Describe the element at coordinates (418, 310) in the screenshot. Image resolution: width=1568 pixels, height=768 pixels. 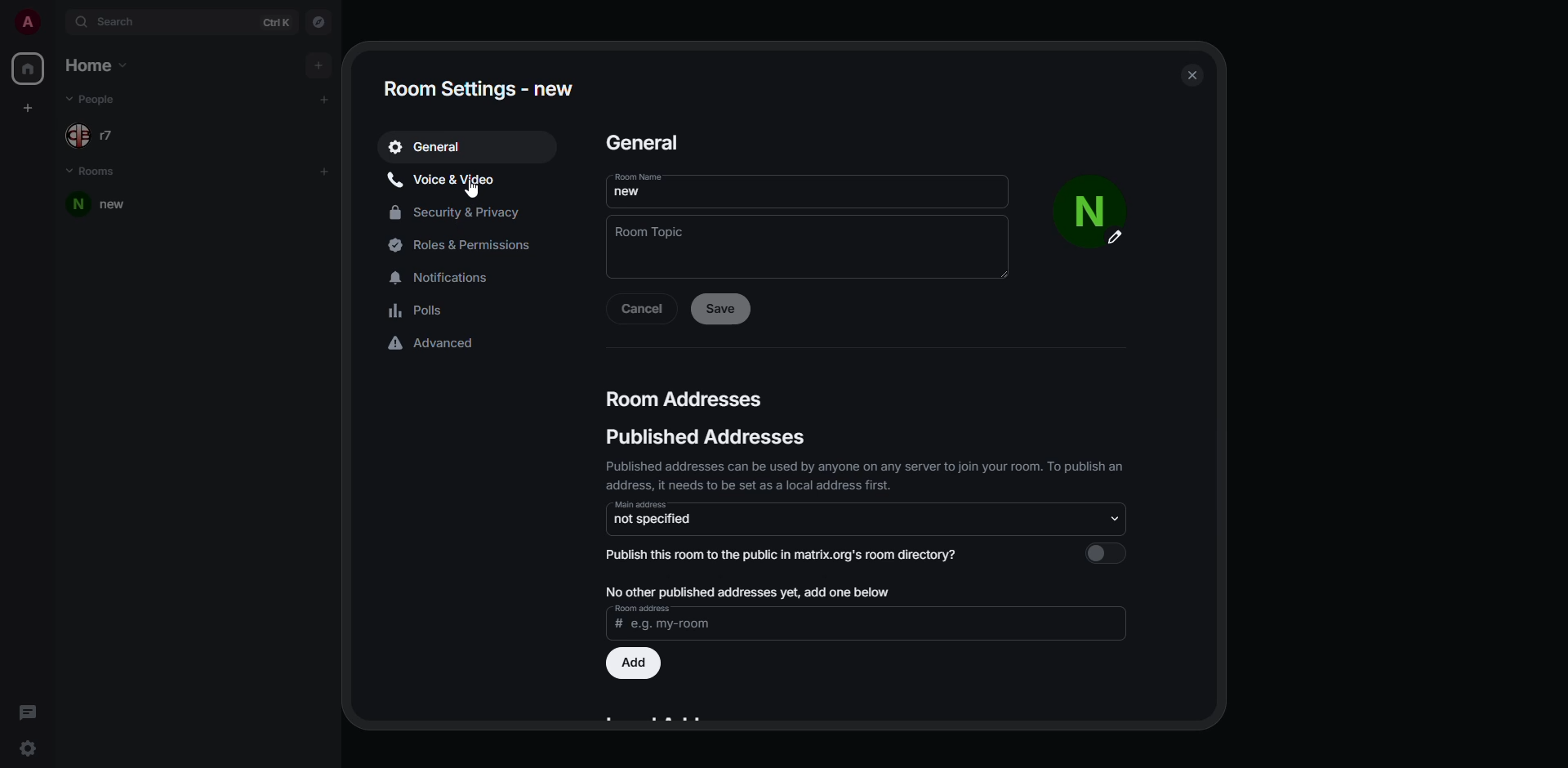
I see `polls` at that location.